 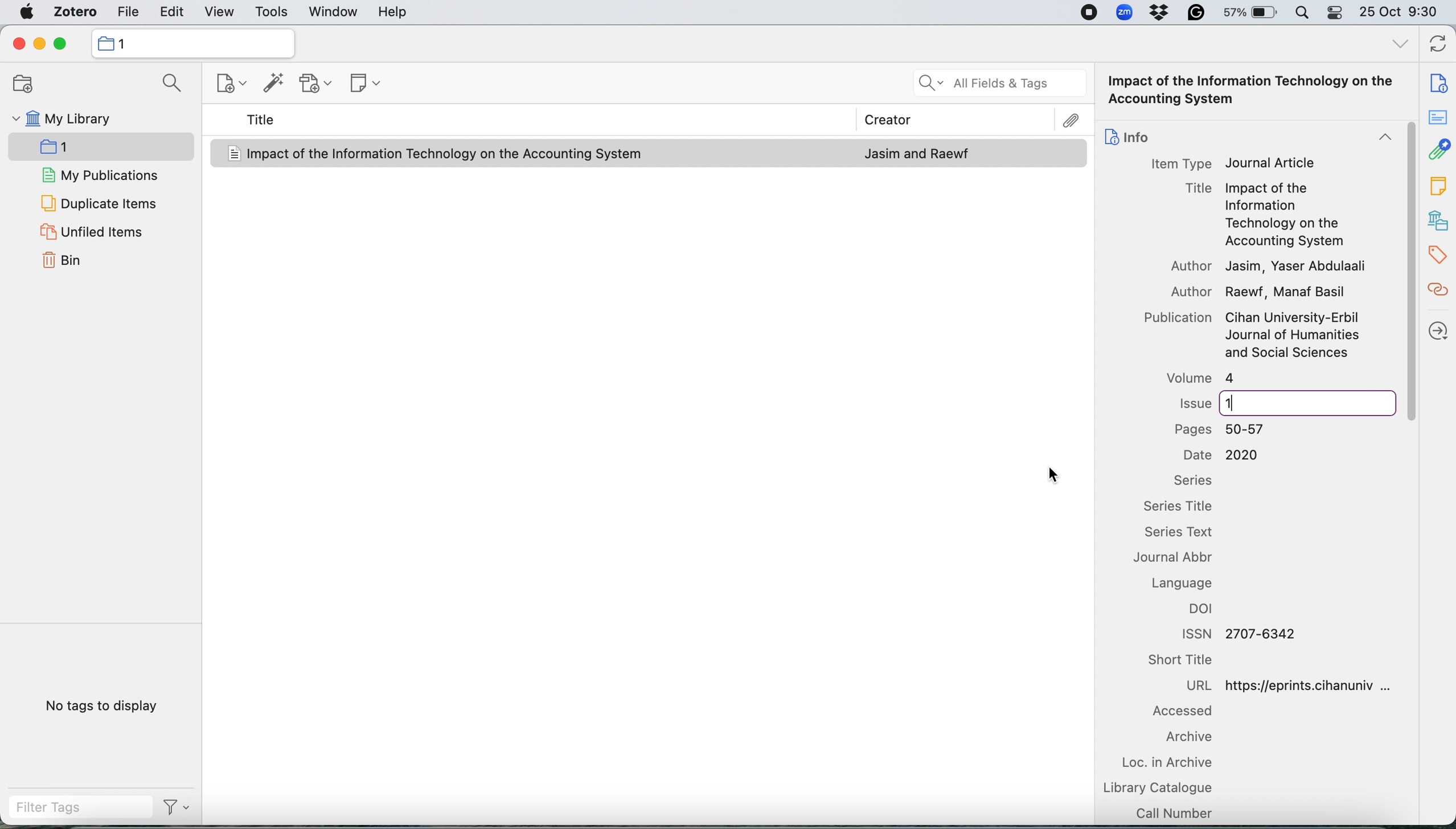 I want to click on my publications, so click(x=97, y=174).